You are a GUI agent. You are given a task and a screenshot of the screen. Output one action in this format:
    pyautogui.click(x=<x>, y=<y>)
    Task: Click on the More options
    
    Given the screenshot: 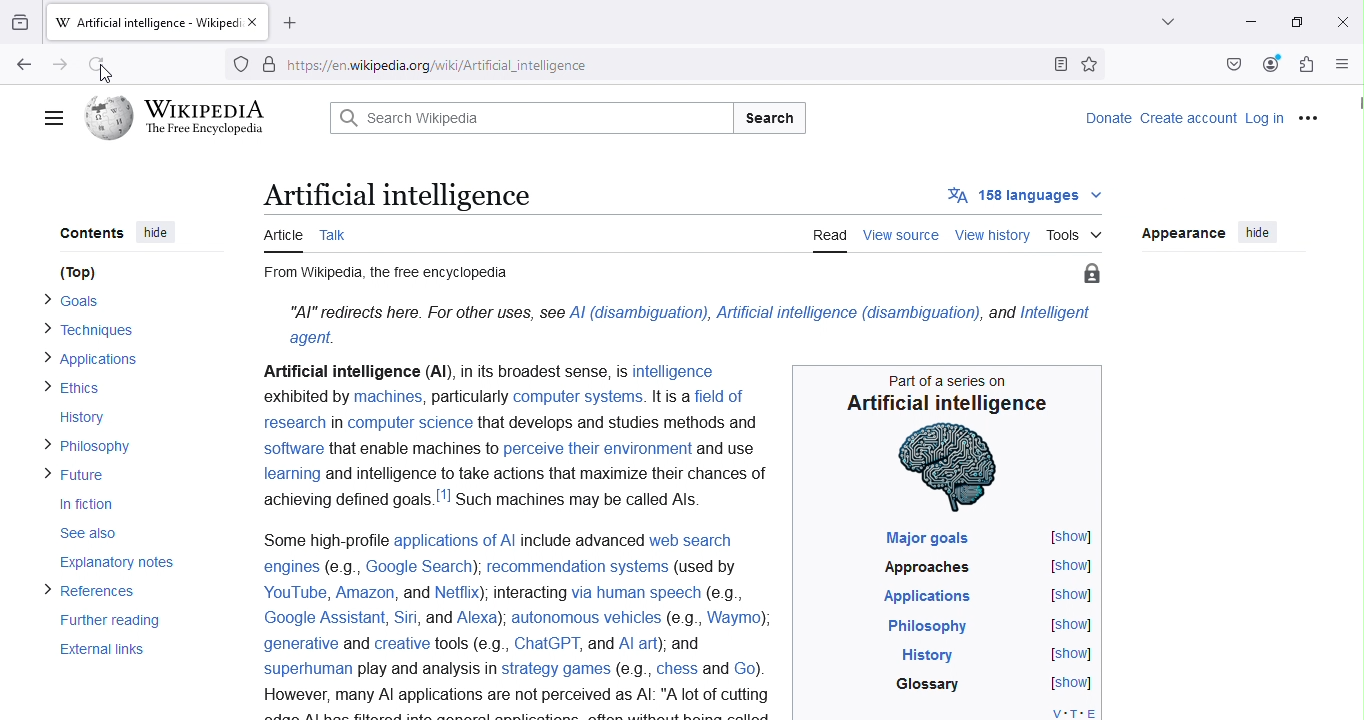 What is the action you would take?
    pyautogui.click(x=1309, y=117)
    